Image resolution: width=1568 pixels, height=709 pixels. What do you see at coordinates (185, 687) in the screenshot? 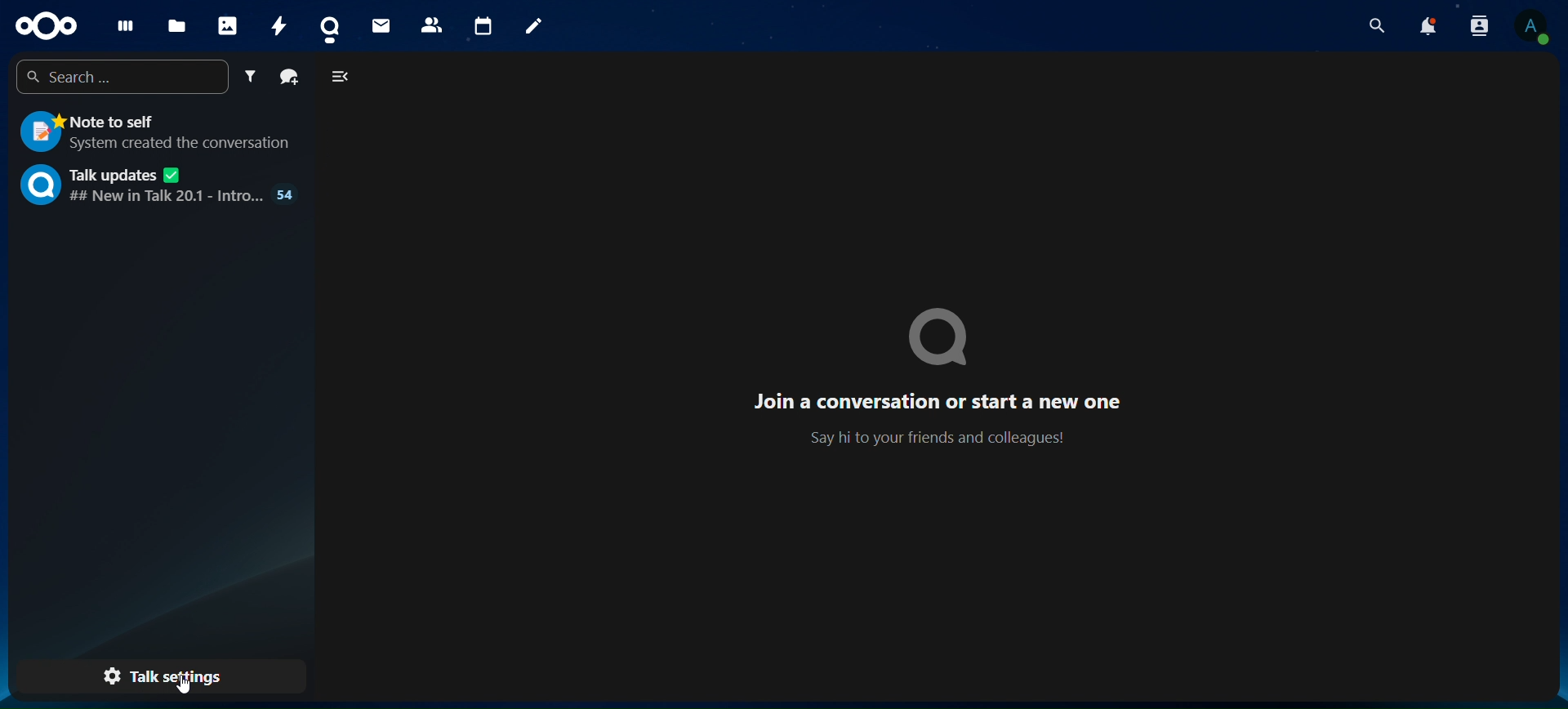
I see `Cursor` at bounding box center [185, 687].